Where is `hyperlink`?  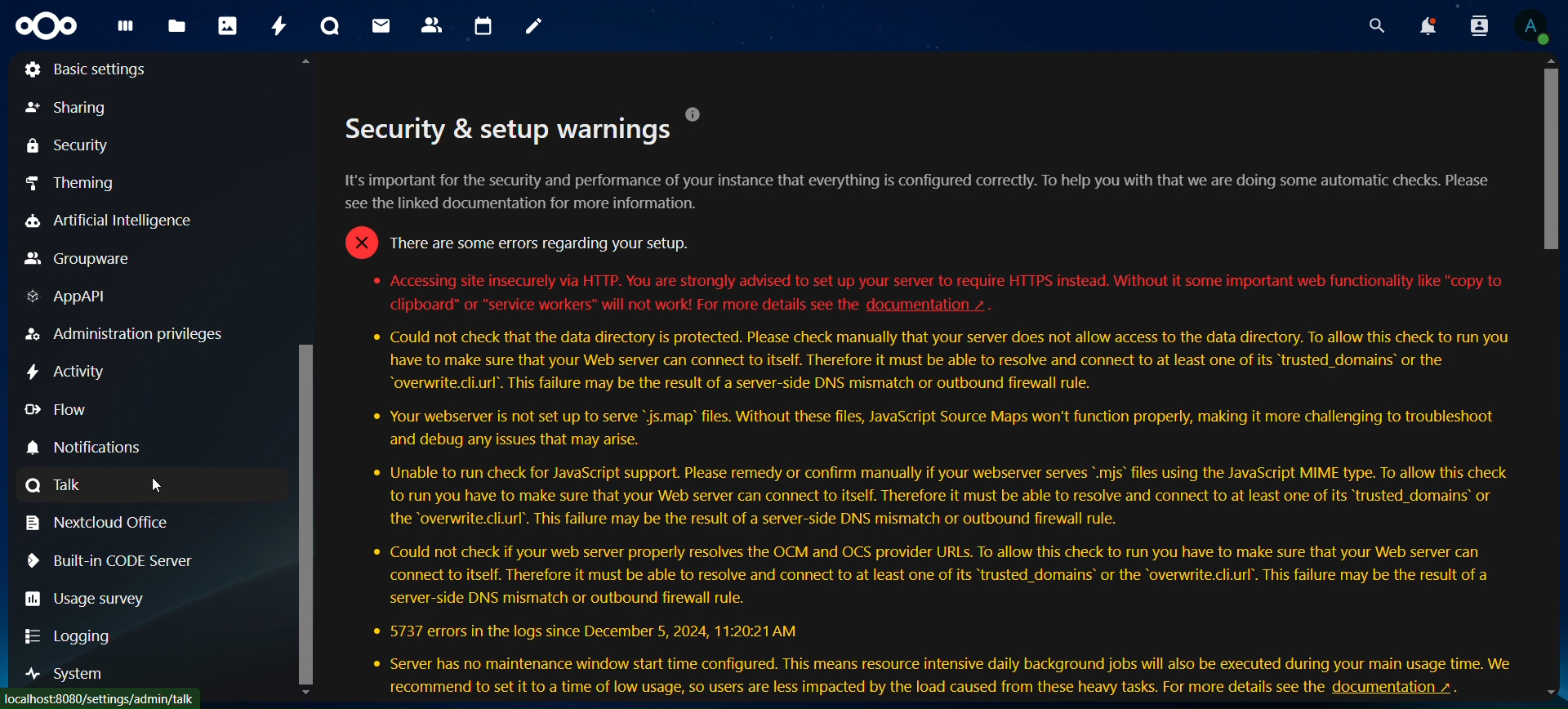 hyperlink is located at coordinates (1410, 686).